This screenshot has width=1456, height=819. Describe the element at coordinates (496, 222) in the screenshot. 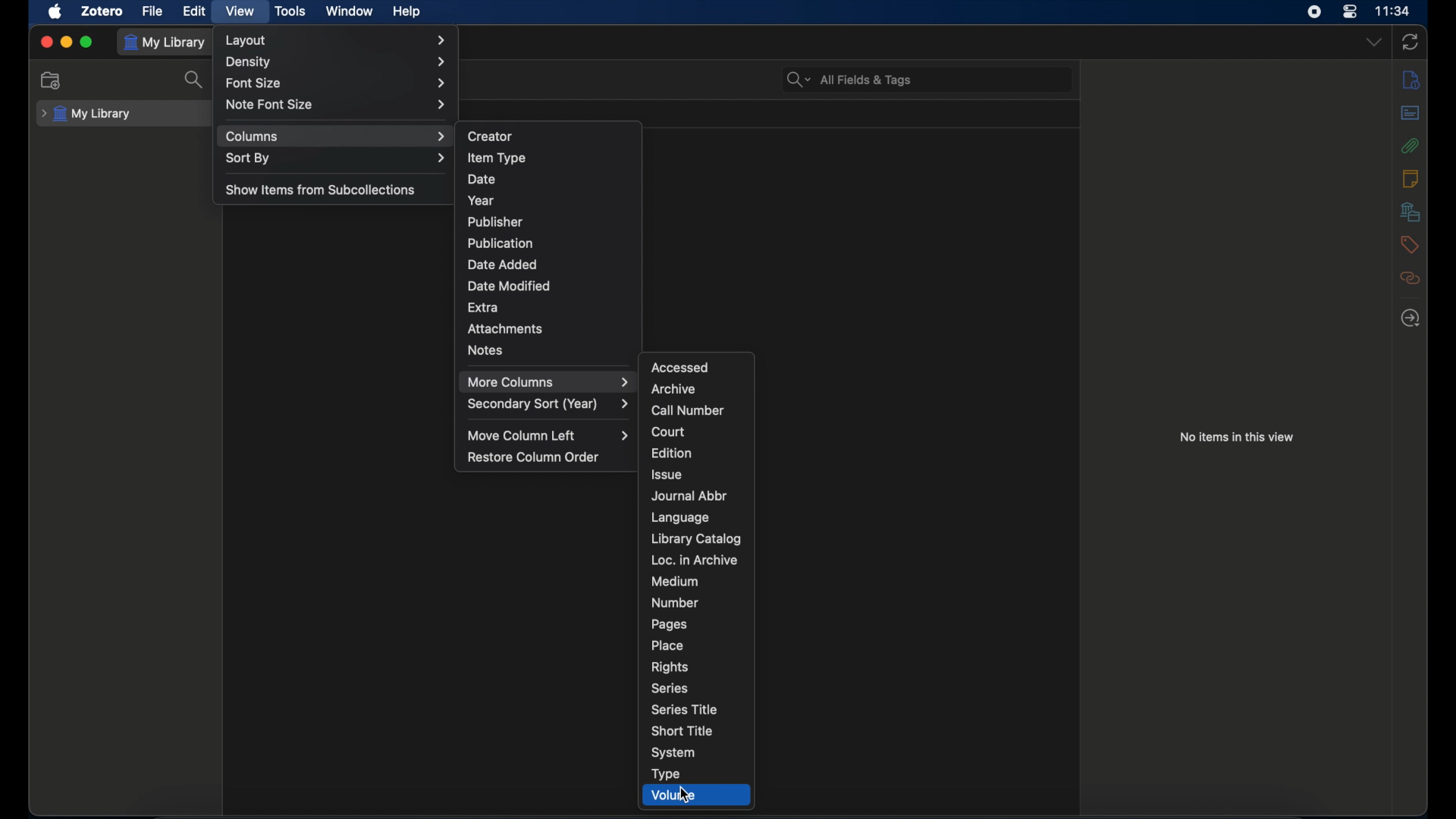

I see `publisher` at that location.